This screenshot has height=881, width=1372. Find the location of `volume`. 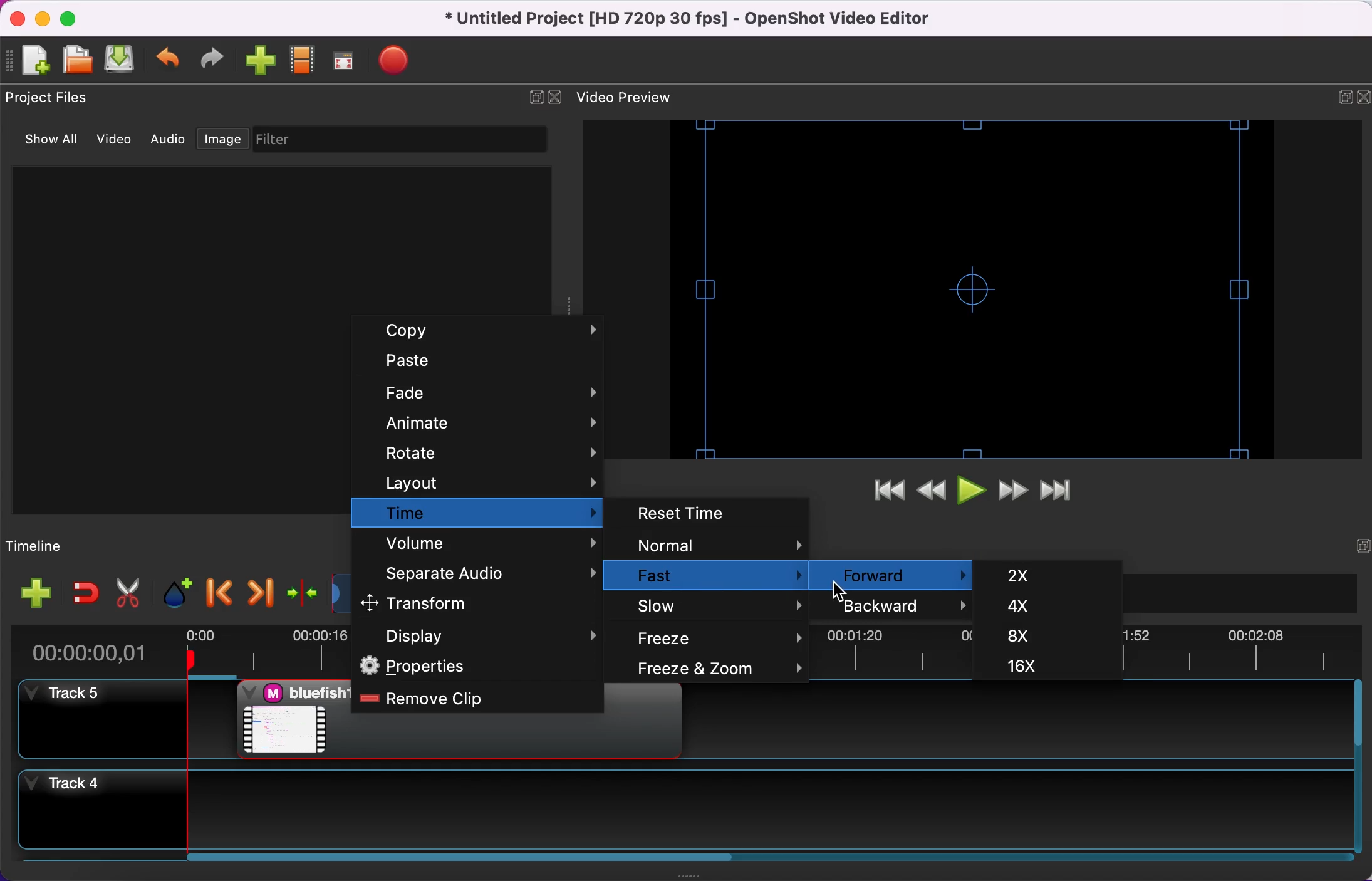

volume is located at coordinates (481, 545).